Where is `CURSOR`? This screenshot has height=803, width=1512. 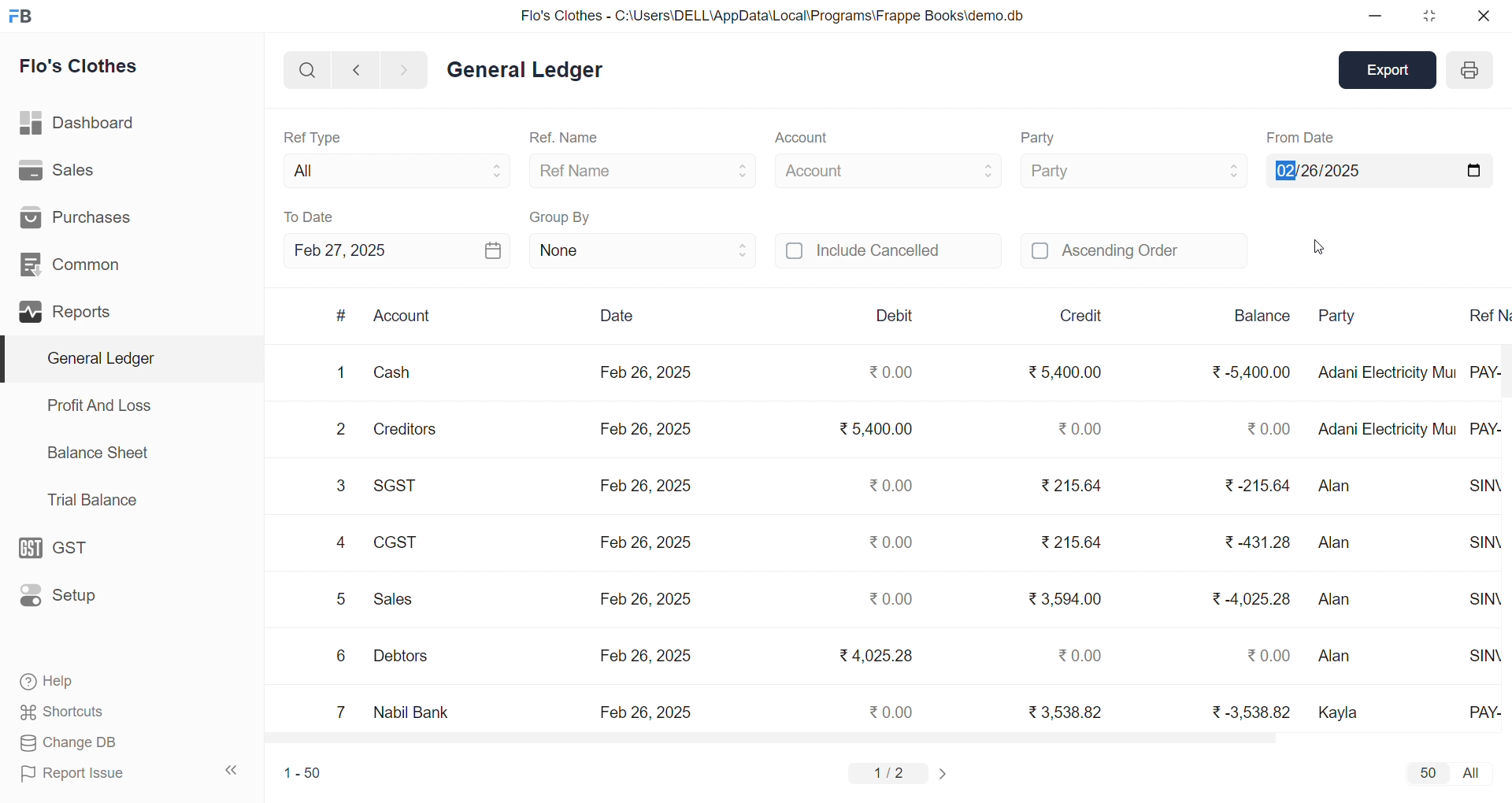
CURSOR is located at coordinates (1320, 250).